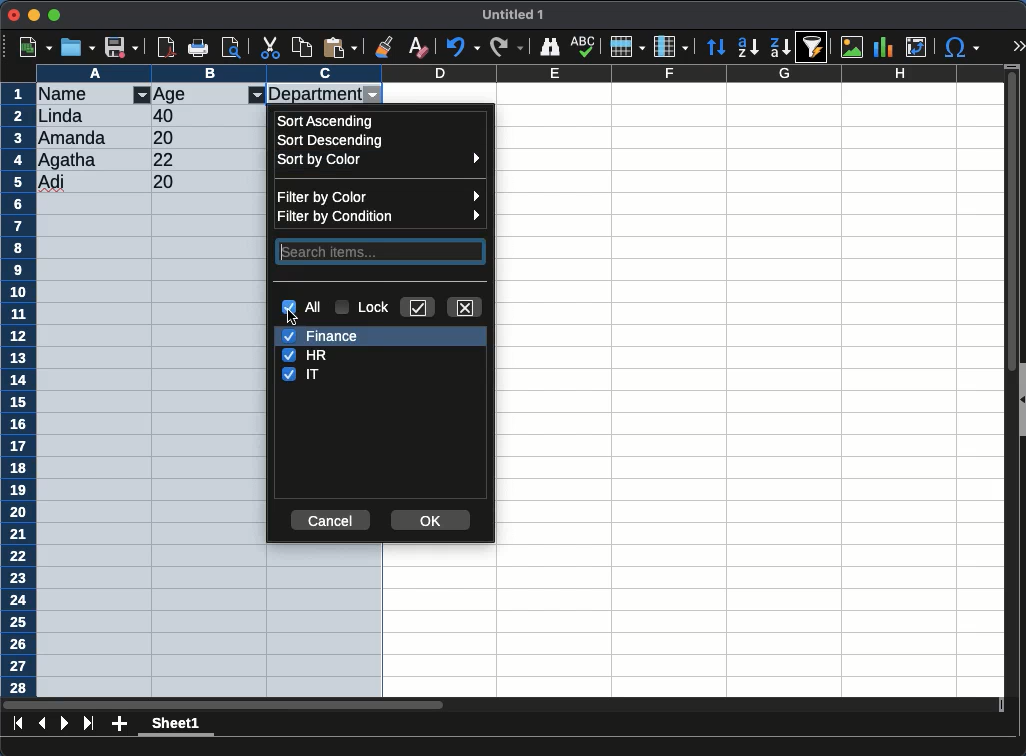 This screenshot has height=756, width=1026. What do you see at coordinates (34, 47) in the screenshot?
I see `new` at bounding box center [34, 47].